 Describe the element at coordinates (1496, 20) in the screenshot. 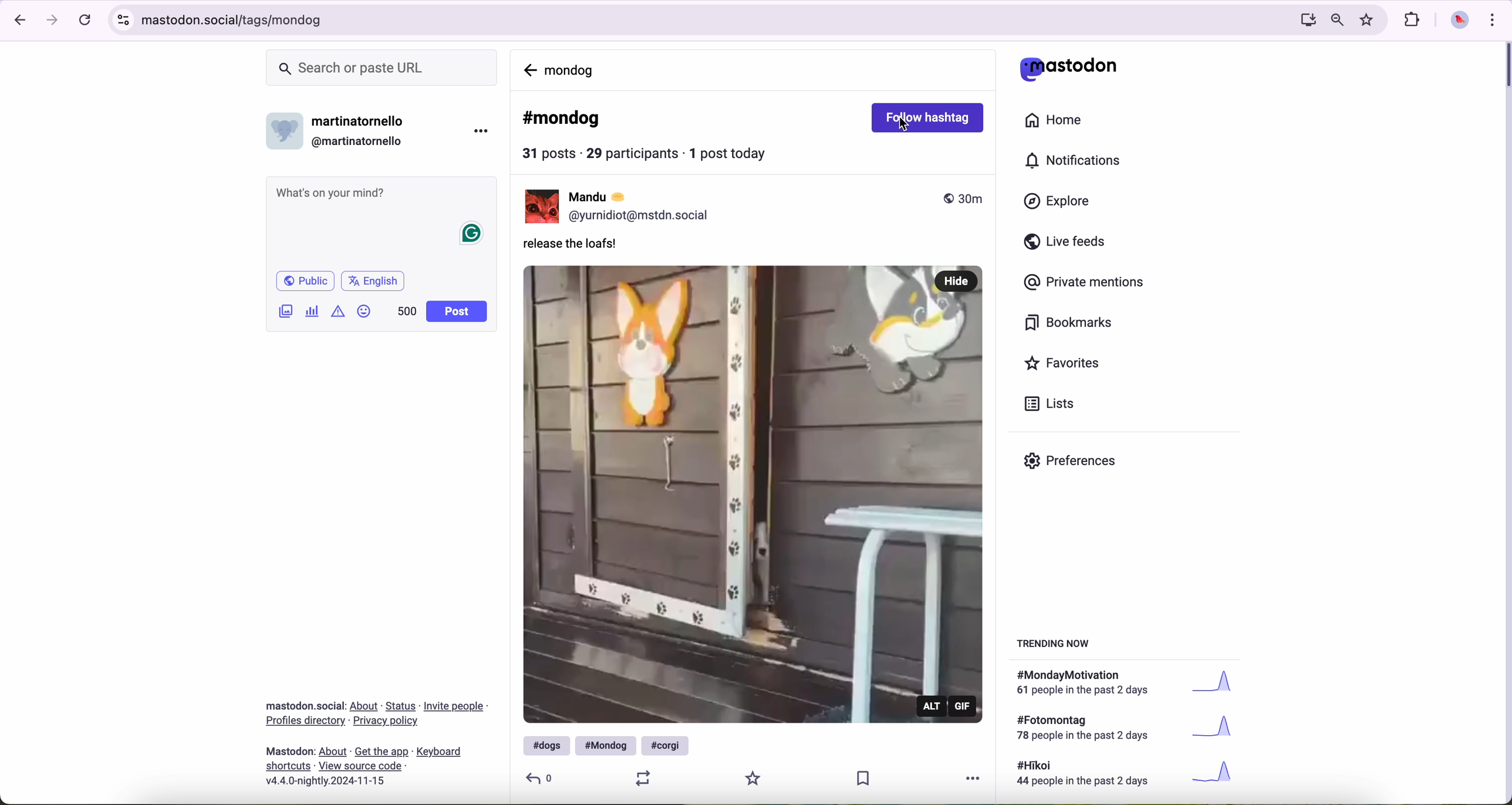

I see `customize and control Google Chrome` at that location.